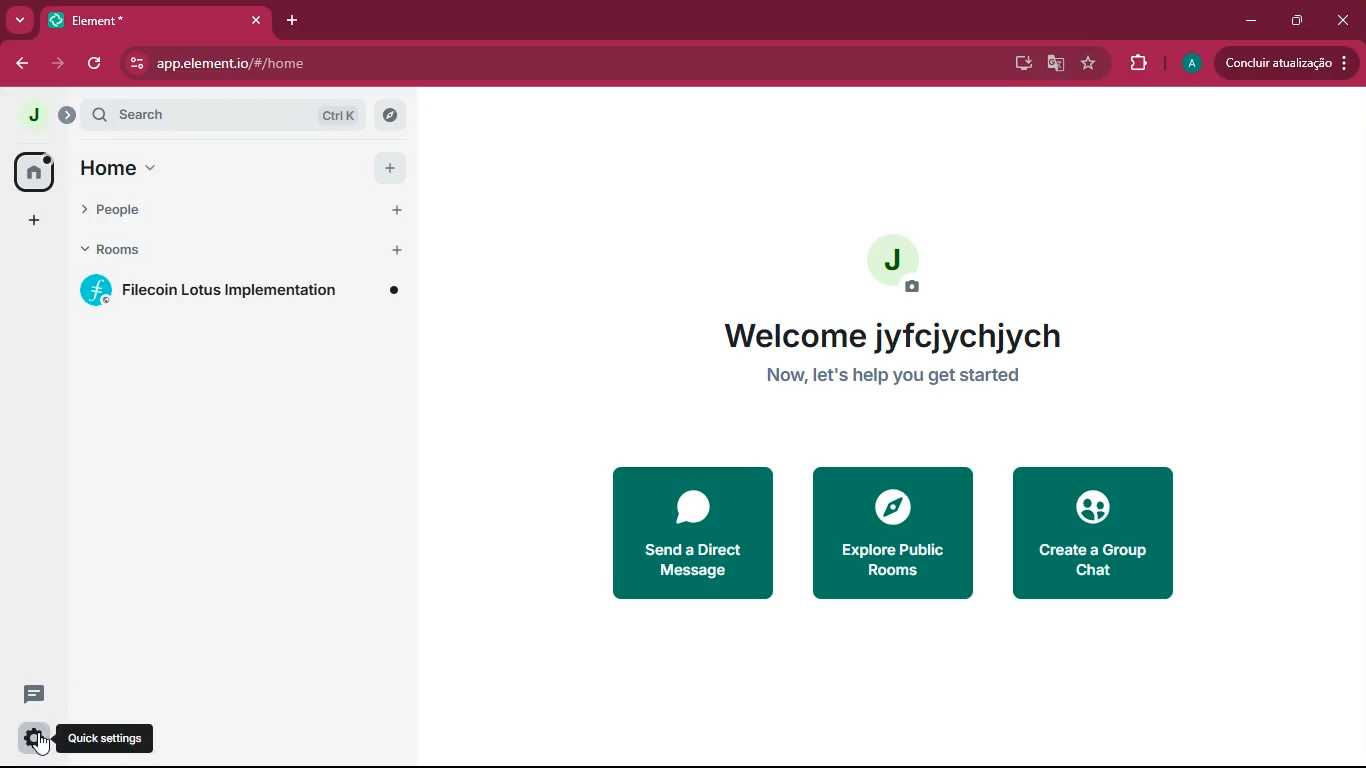  I want to click on desktop, so click(1018, 64).